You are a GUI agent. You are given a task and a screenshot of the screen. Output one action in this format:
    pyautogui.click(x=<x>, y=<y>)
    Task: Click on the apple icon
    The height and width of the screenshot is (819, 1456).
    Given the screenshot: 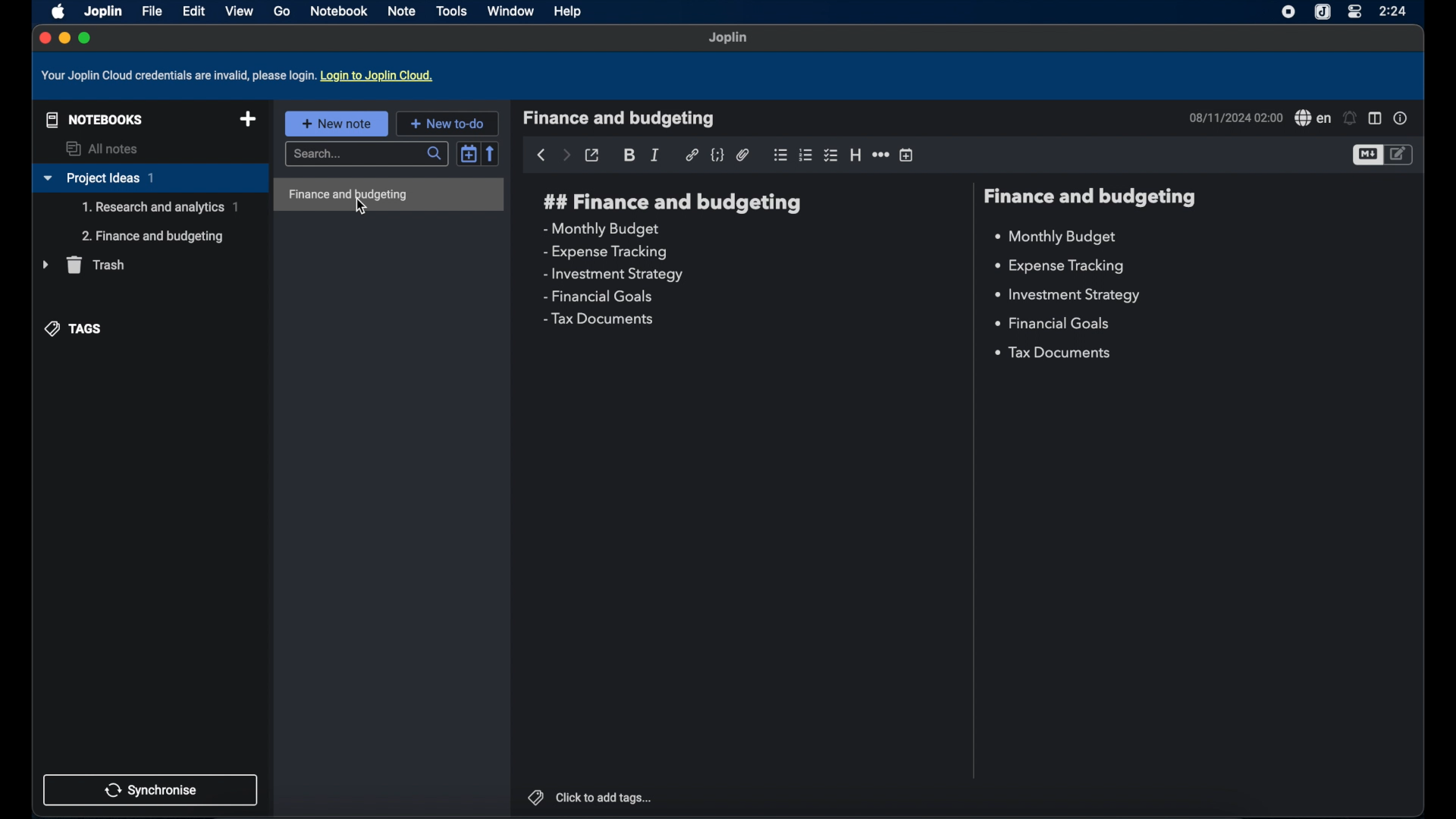 What is the action you would take?
    pyautogui.click(x=55, y=11)
    